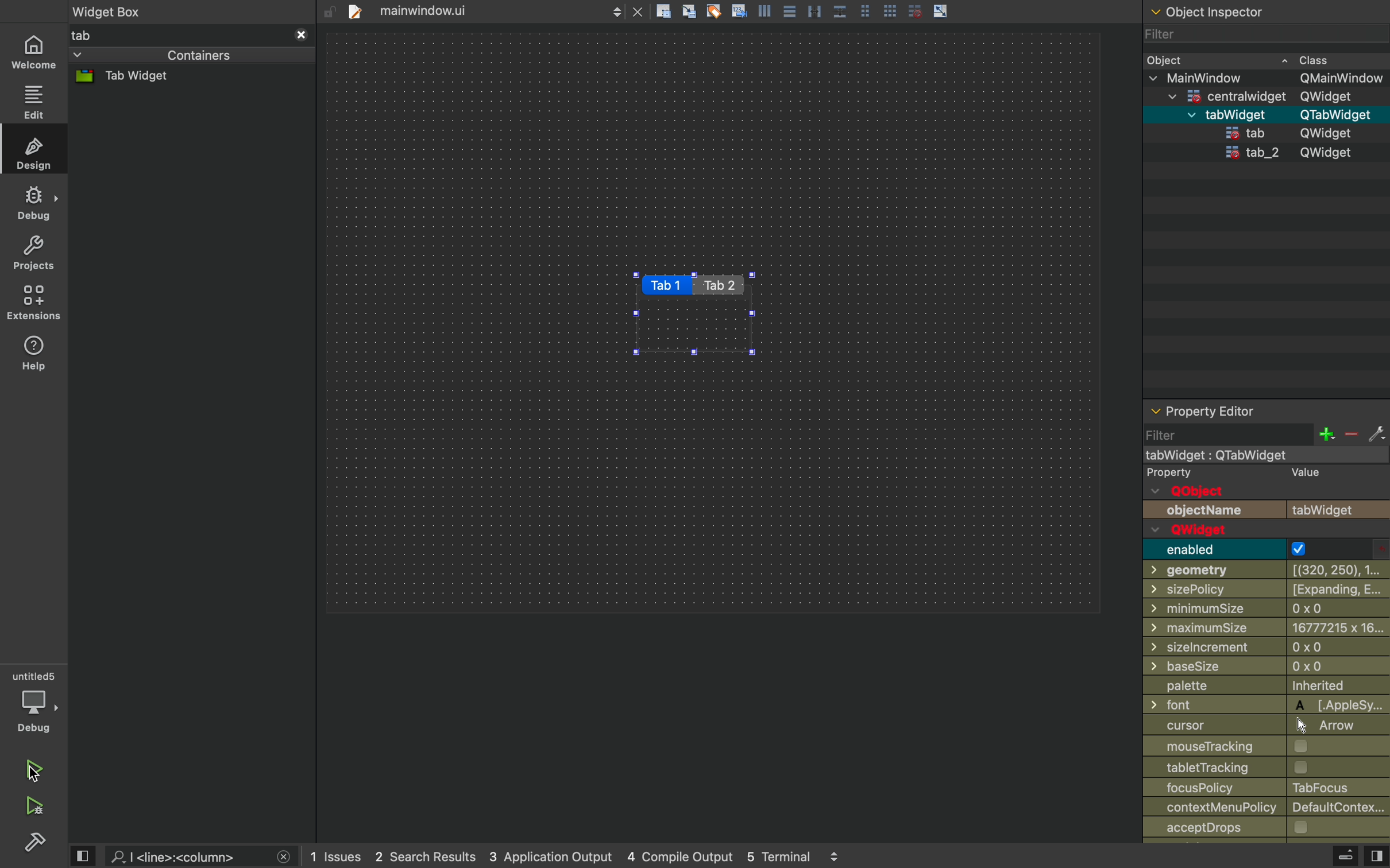 This screenshot has width=1390, height=868. Describe the element at coordinates (175, 34) in the screenshot. I see `tab` at that location.